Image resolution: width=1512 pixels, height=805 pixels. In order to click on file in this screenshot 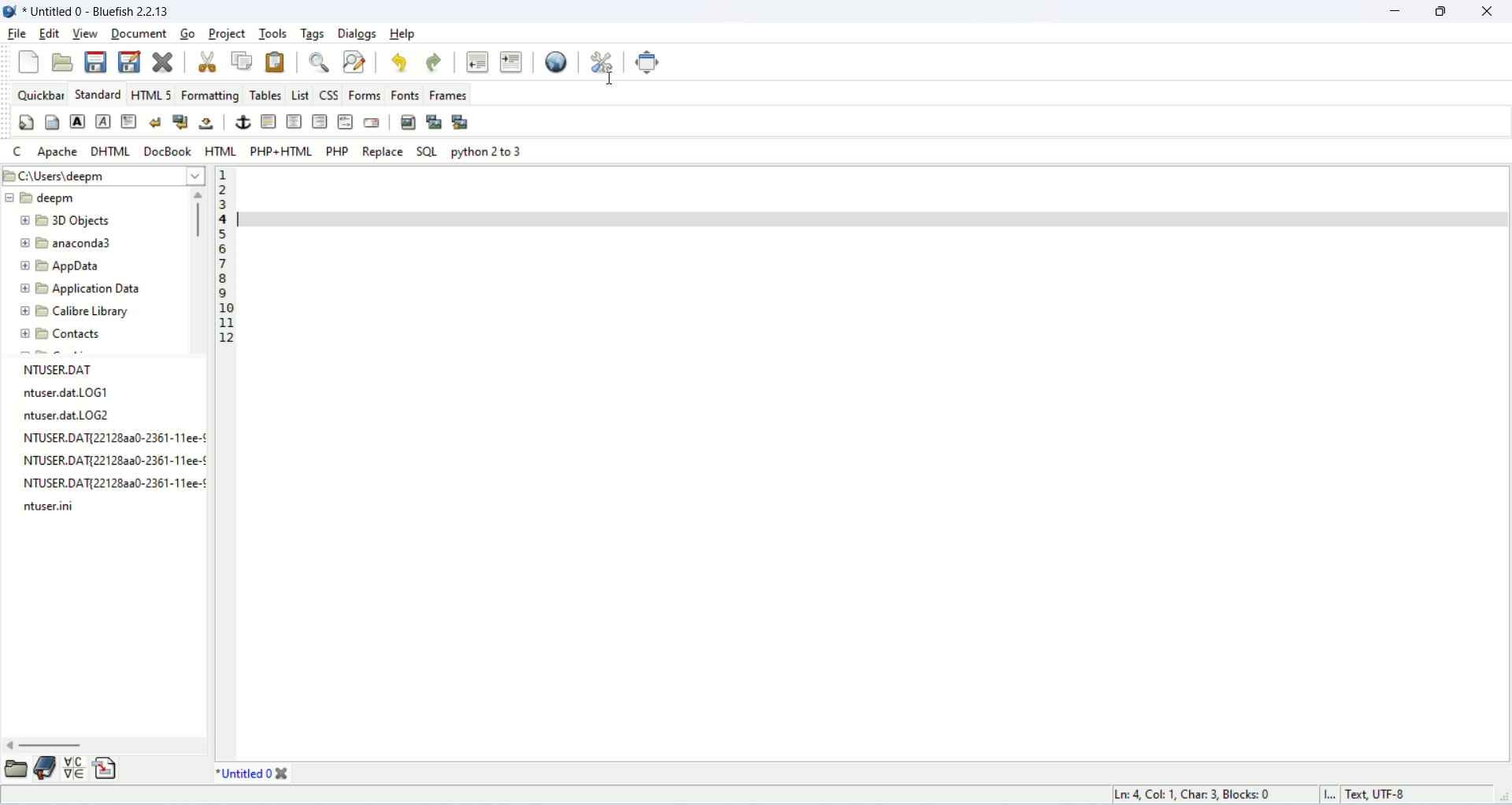, I will do `click(100, 13)`.